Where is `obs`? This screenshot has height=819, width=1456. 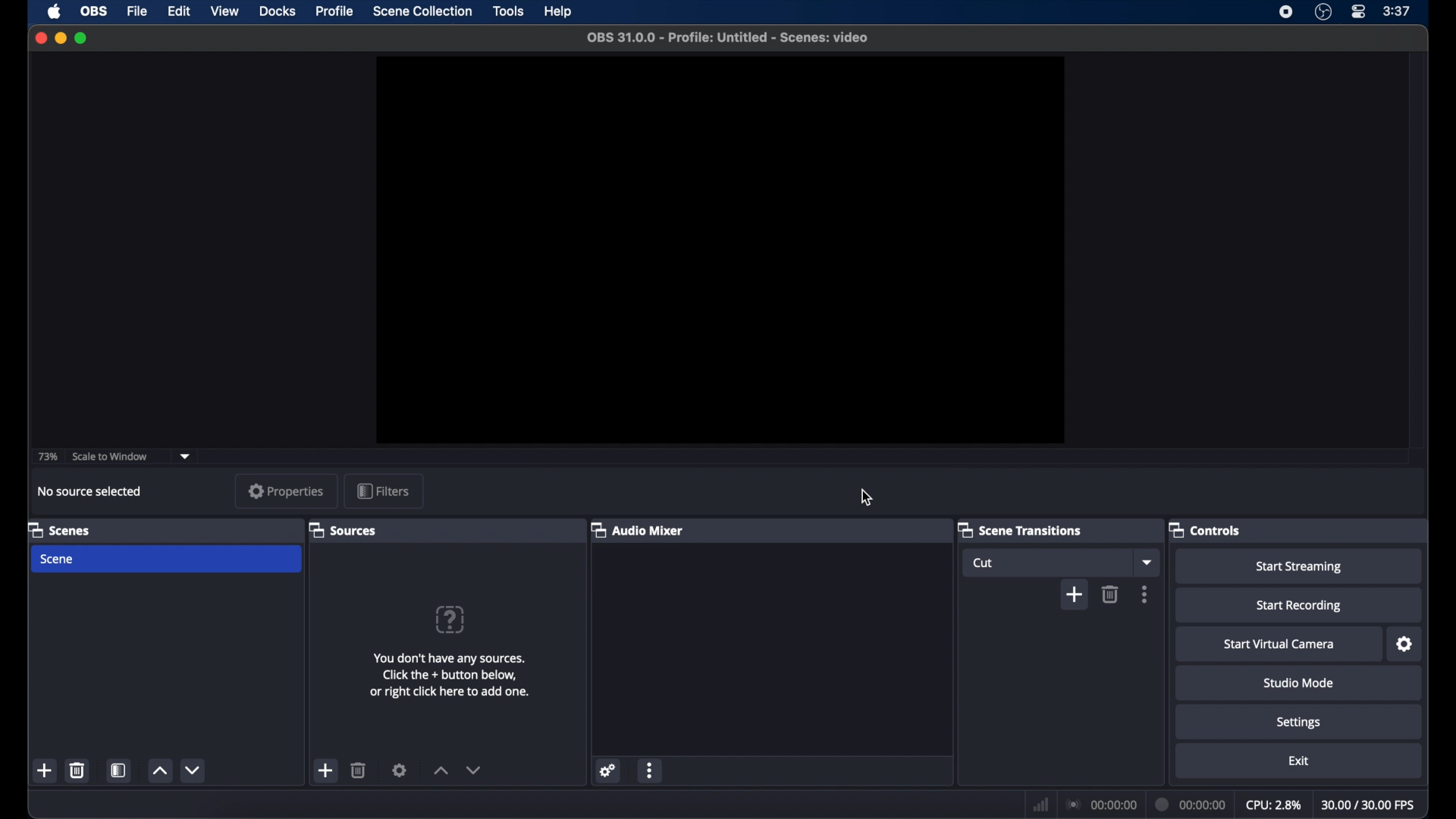 obs is located at coordinates (94, 11).